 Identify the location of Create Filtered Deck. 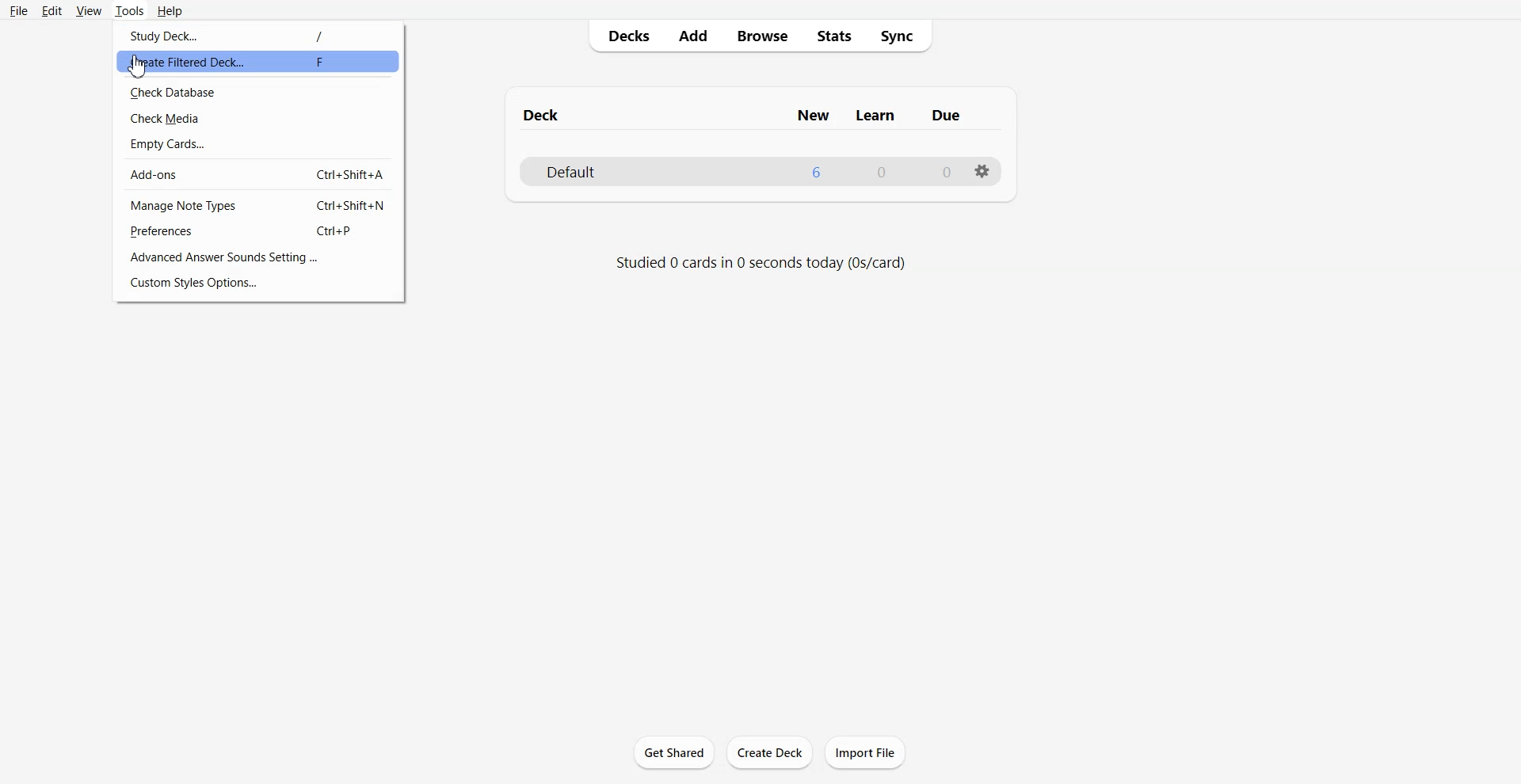
(258, 61).